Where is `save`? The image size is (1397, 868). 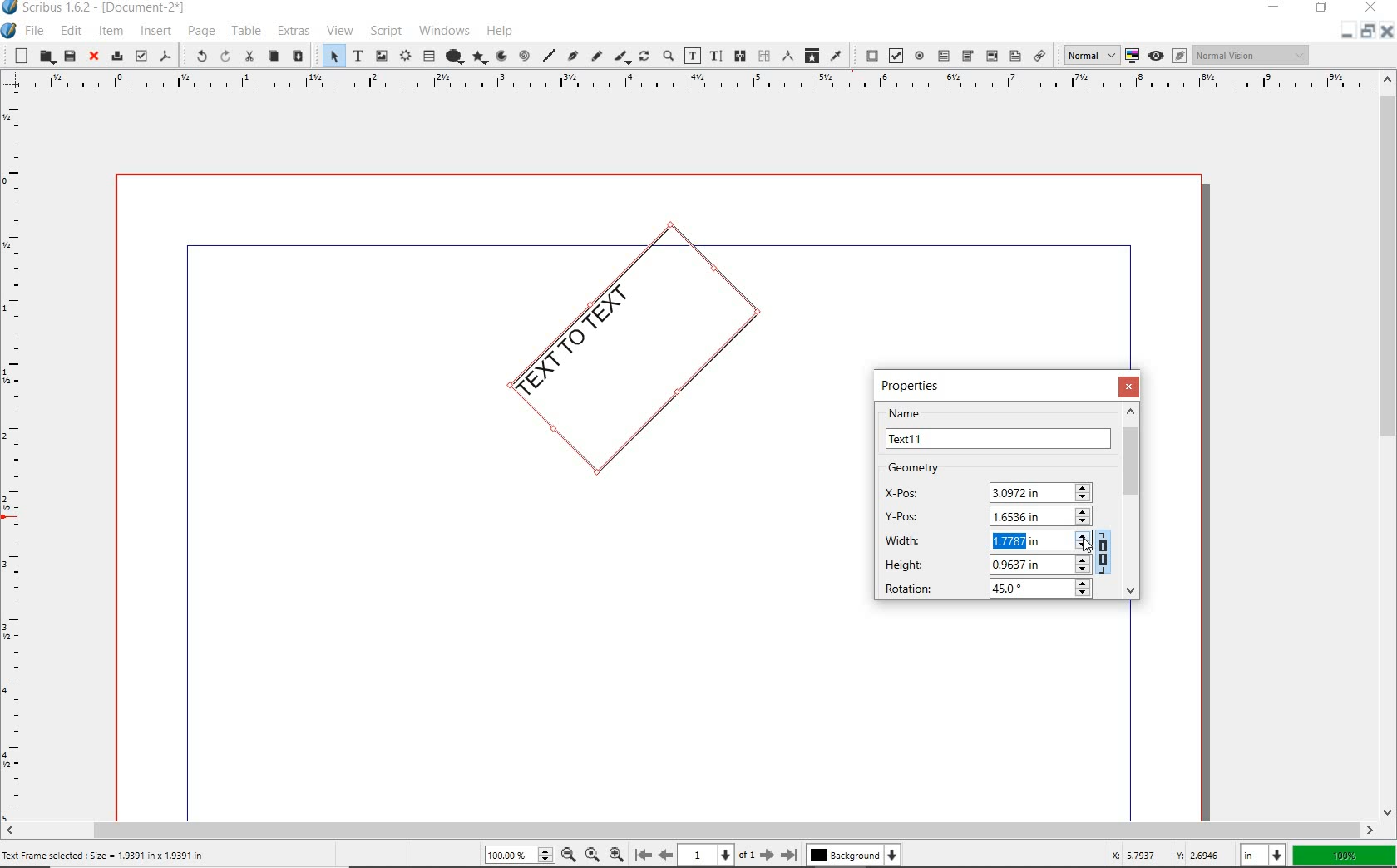 save is located at coordinates (69, 57).